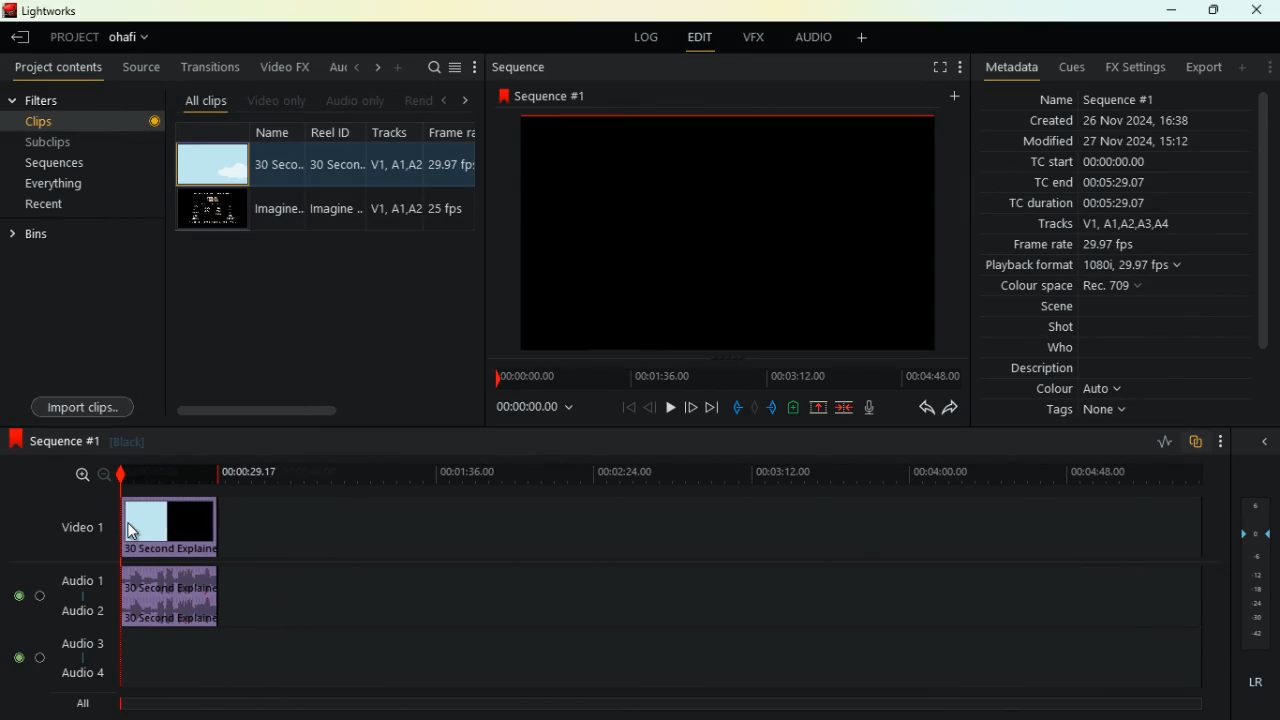 The width and height of the screenshot is (1280, 720). Describe the element at coordinates (532, 410) in the screenshot. I see `time` at that location.